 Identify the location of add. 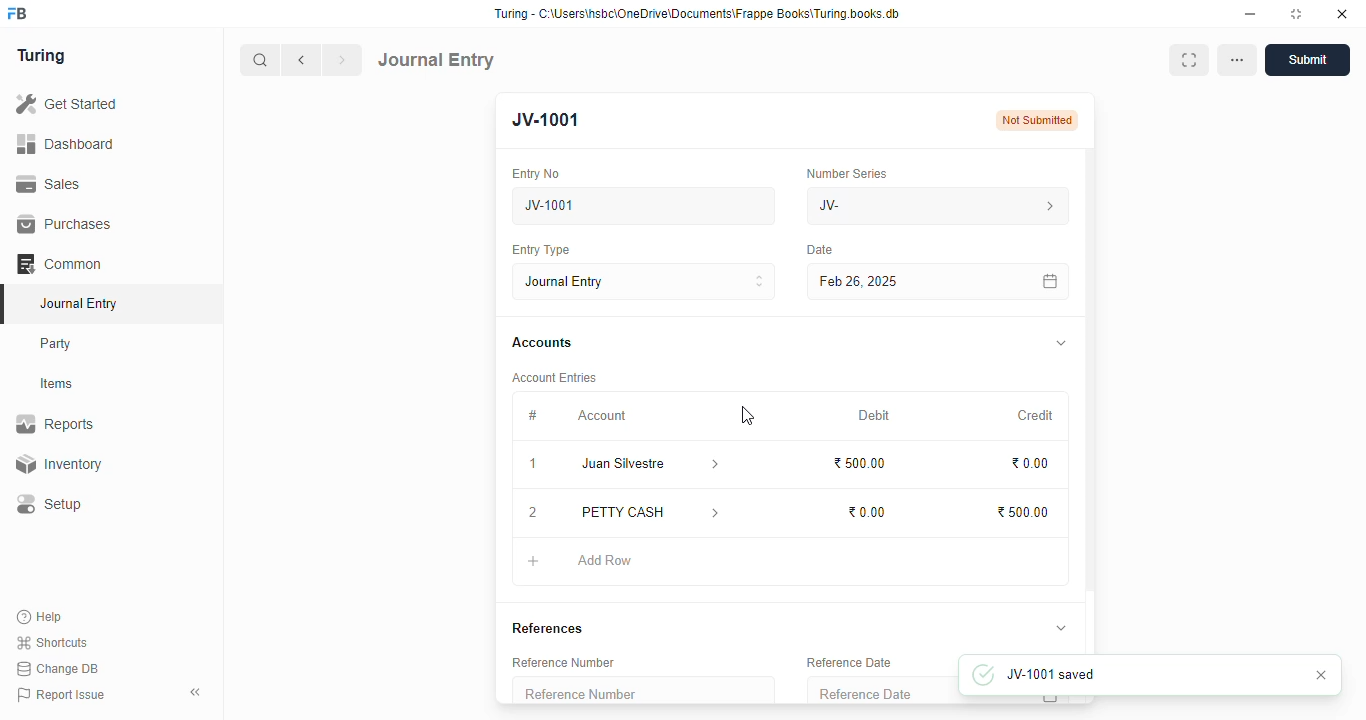
(534, 562).